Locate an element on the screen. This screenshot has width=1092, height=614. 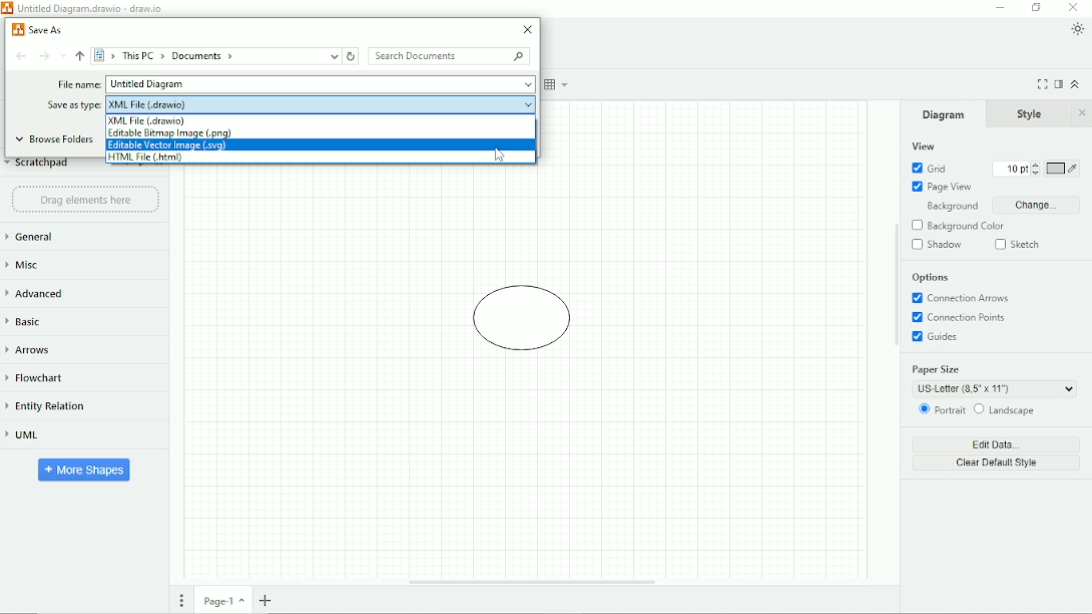
XML File (.drawio) is located at coordinates (148, 120).